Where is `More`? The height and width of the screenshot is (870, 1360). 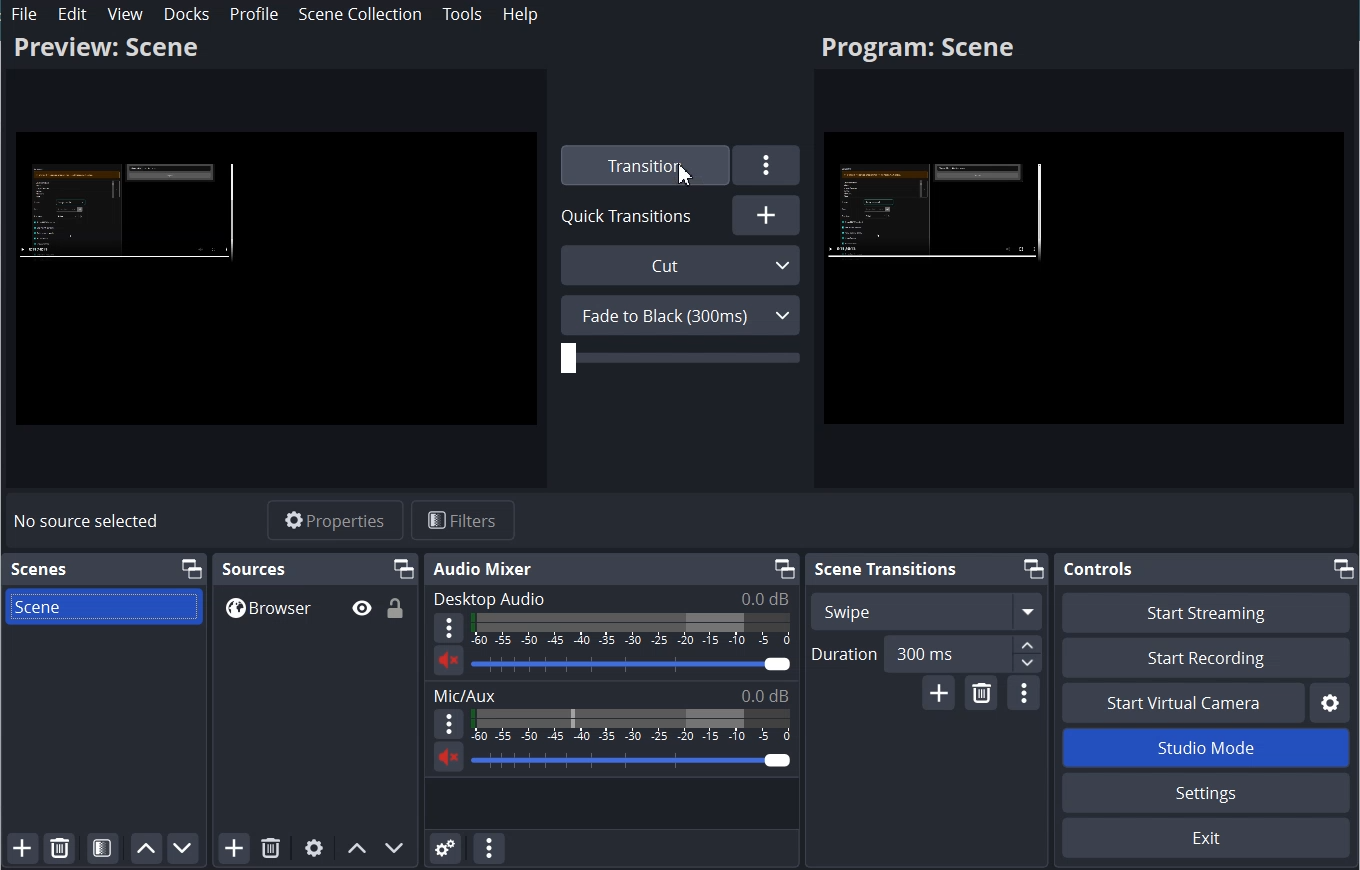
More is located at coordinates (448, 724).